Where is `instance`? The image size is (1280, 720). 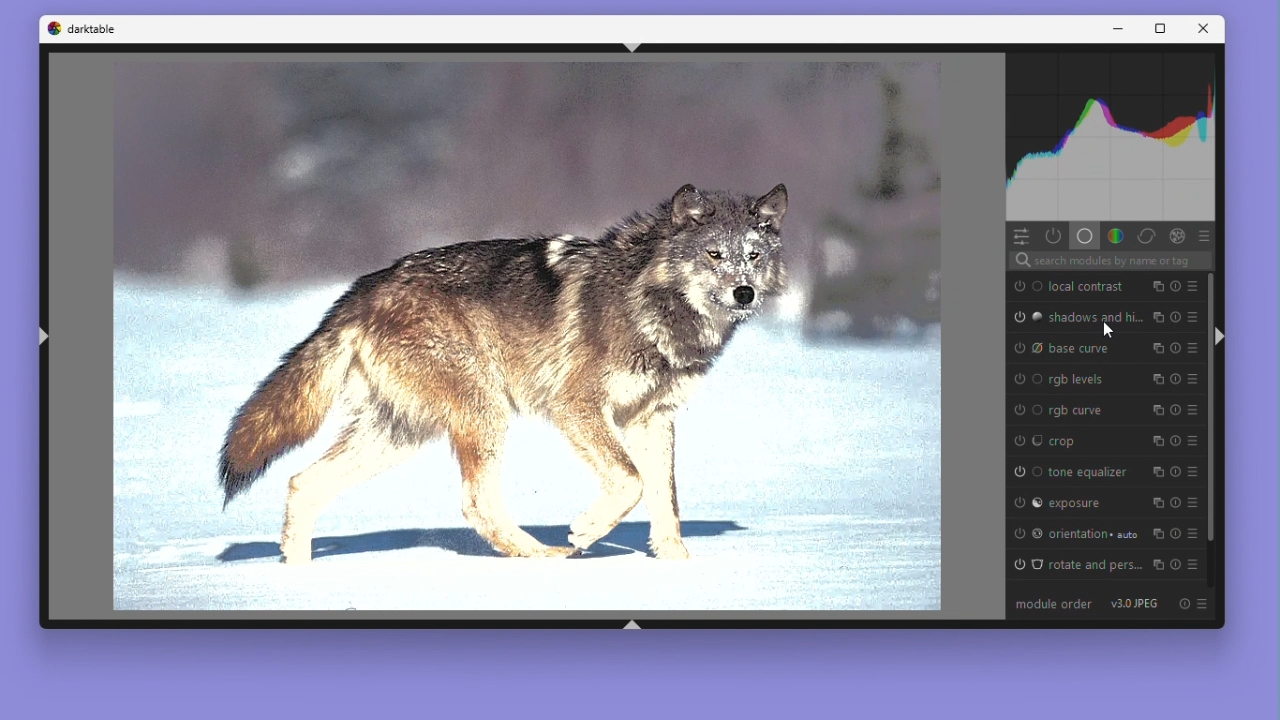 instance is located at coordinates (1156, 566).